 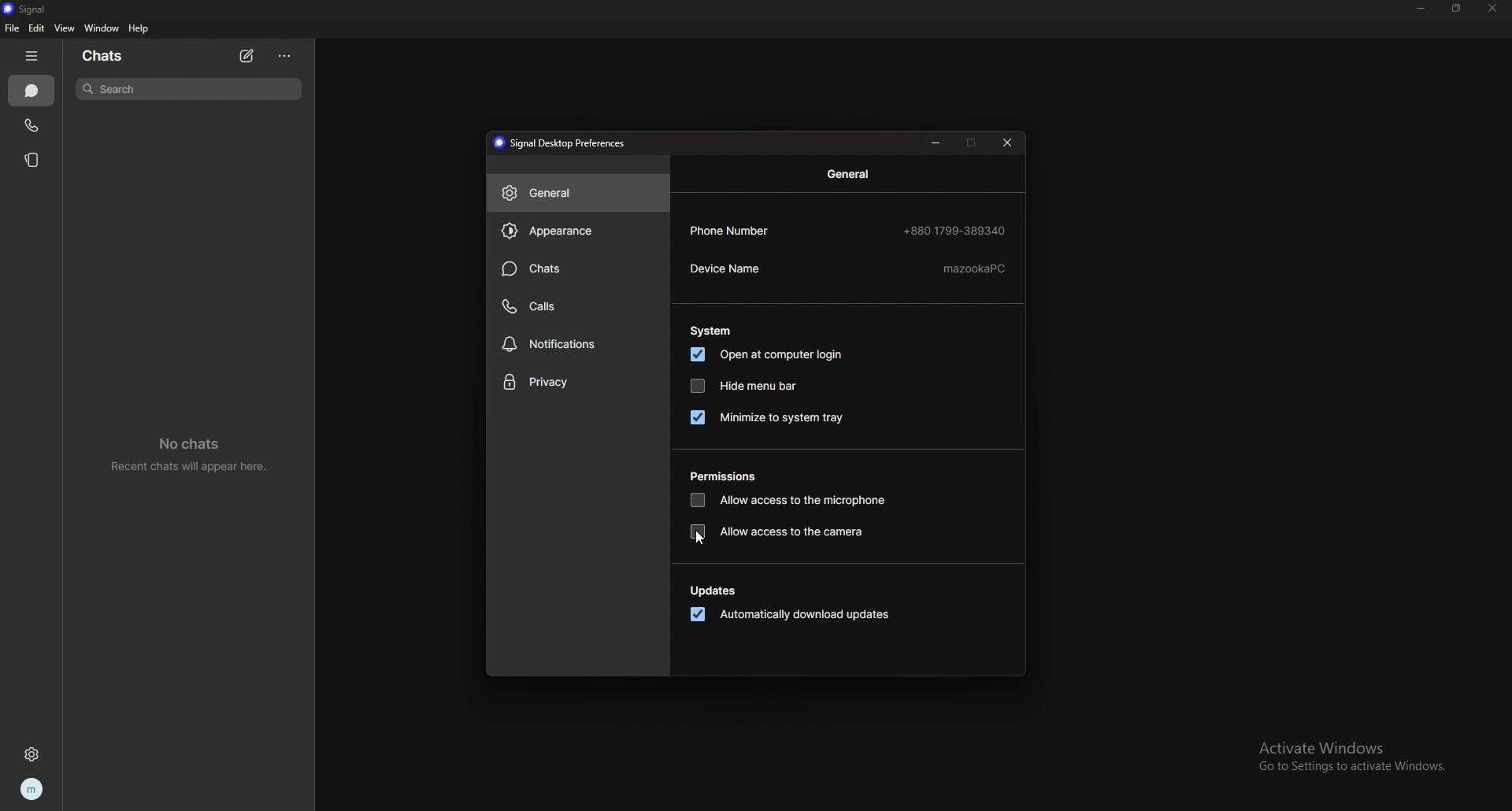 I want to click on cursor, so click(x=695, y=540).